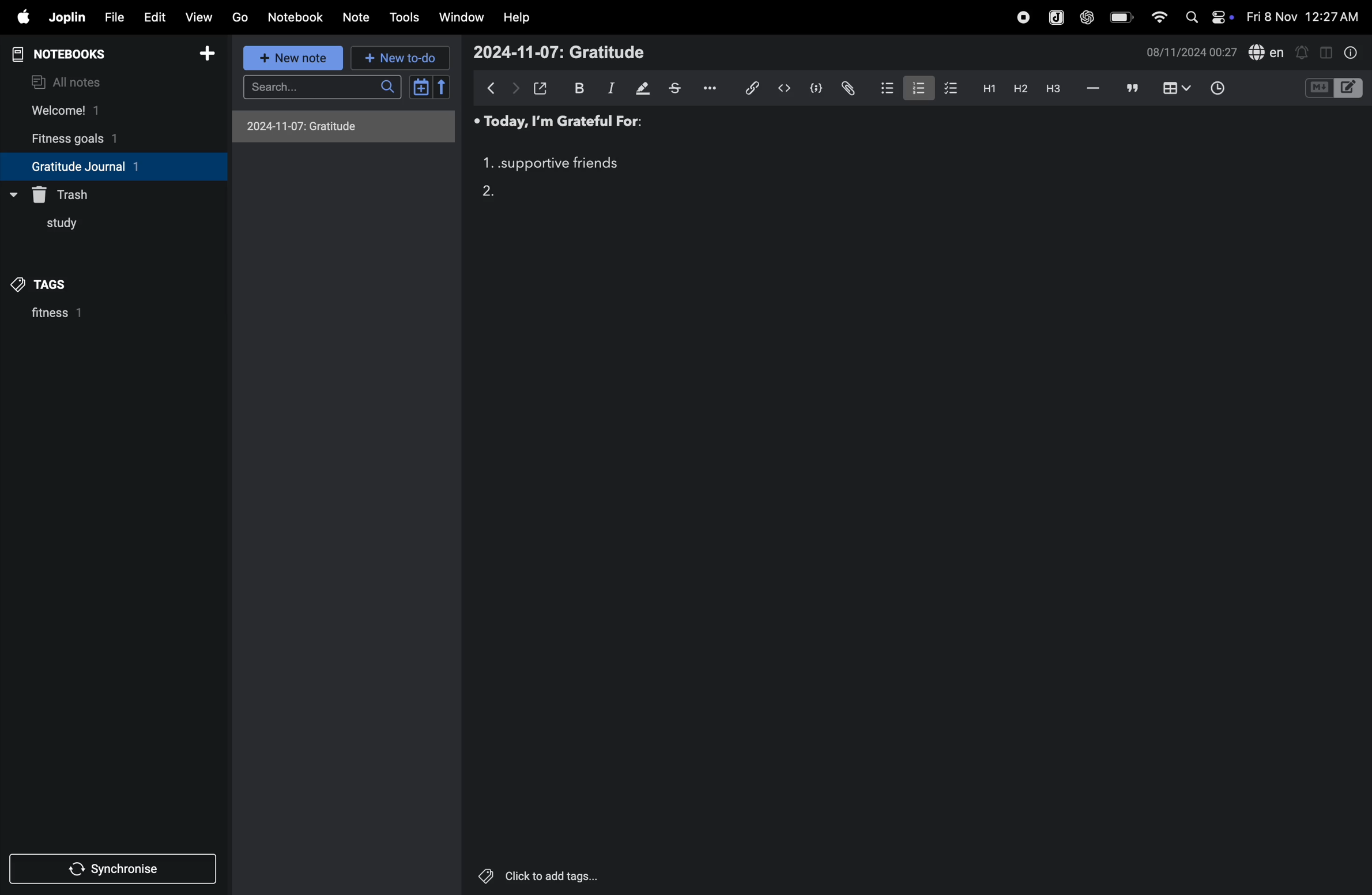 The height and width of the screenshot is (895, 1372). I want to click on joplin menu, so click(1056, 18).